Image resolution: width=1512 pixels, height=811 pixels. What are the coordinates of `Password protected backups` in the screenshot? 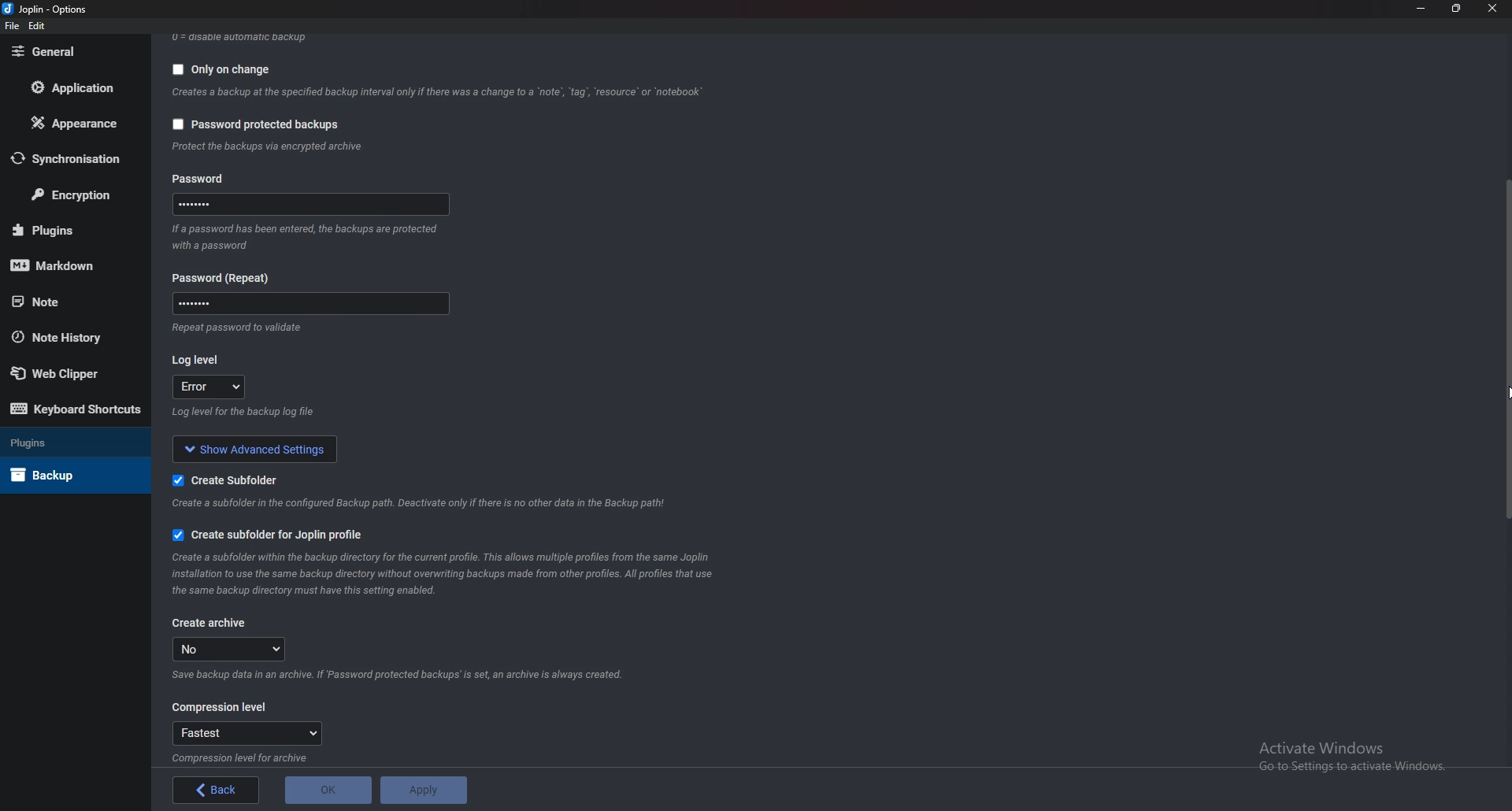 It's located at (258, 125).